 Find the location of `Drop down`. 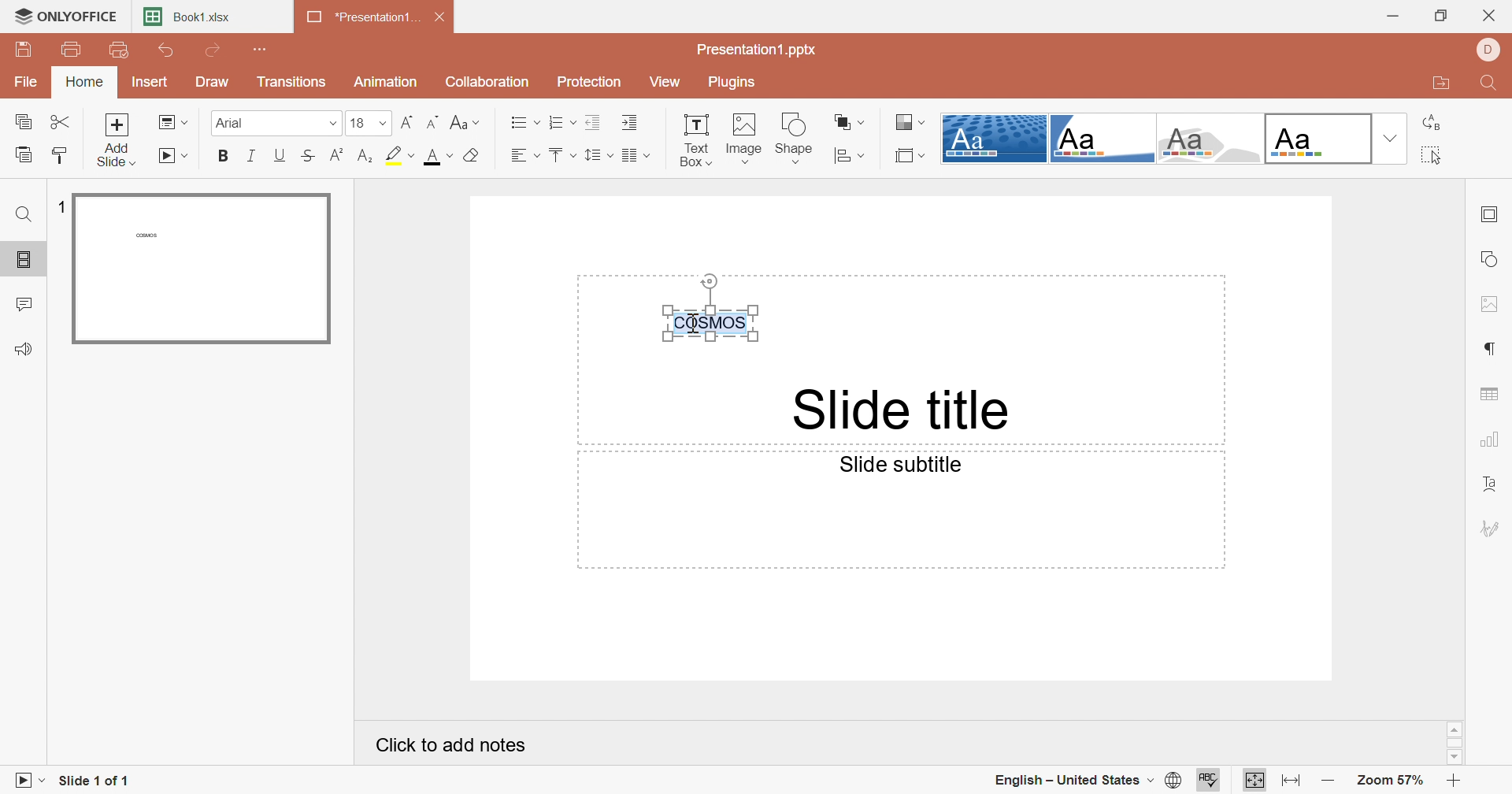

Drop down is located at coordinates (1393, 139).